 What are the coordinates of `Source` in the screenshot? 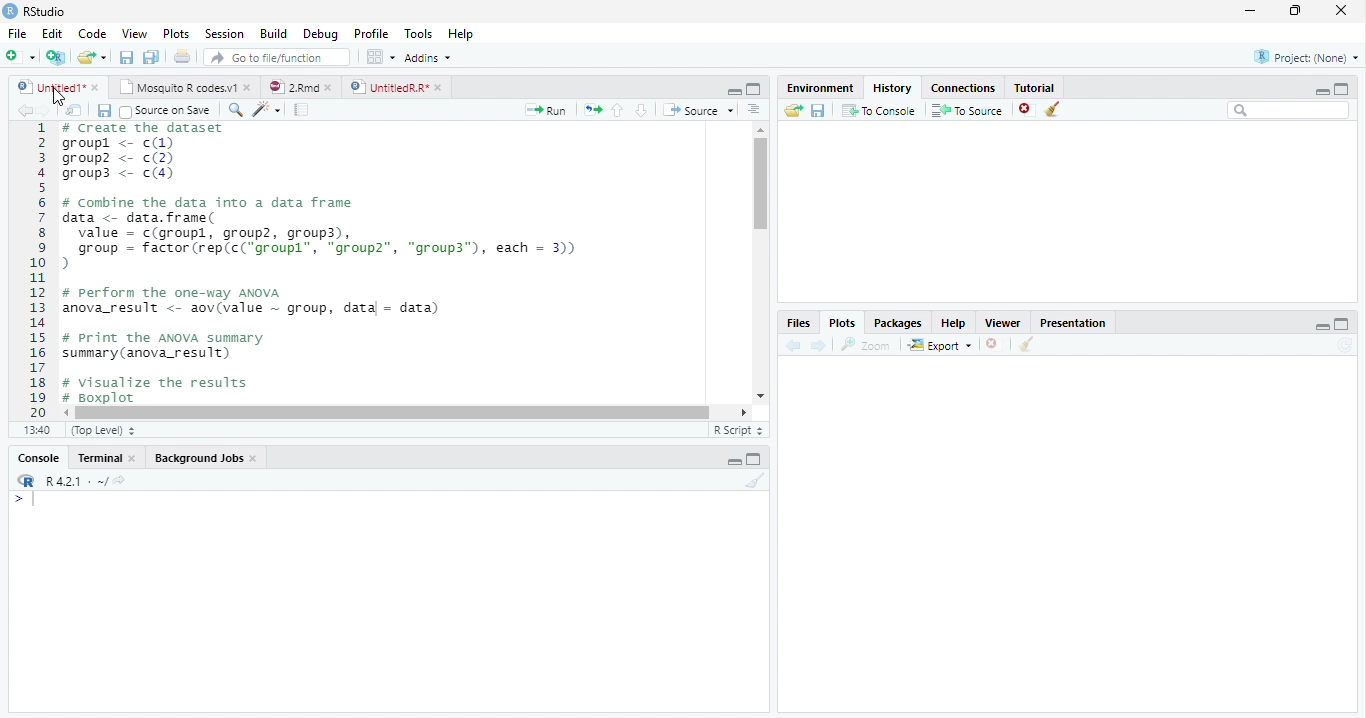 It's located at (700, 111).